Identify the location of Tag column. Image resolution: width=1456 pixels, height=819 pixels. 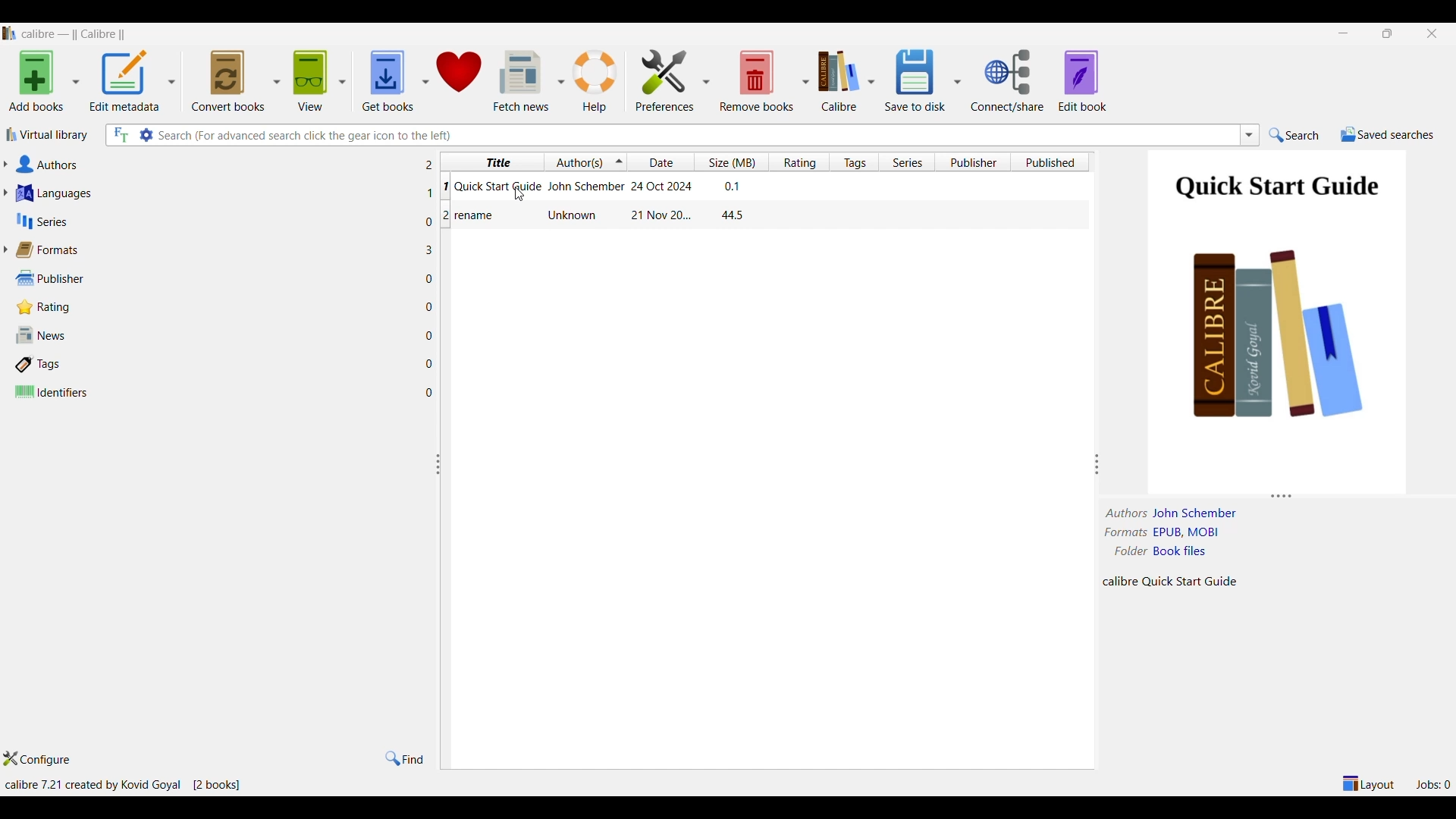
(852, 162).